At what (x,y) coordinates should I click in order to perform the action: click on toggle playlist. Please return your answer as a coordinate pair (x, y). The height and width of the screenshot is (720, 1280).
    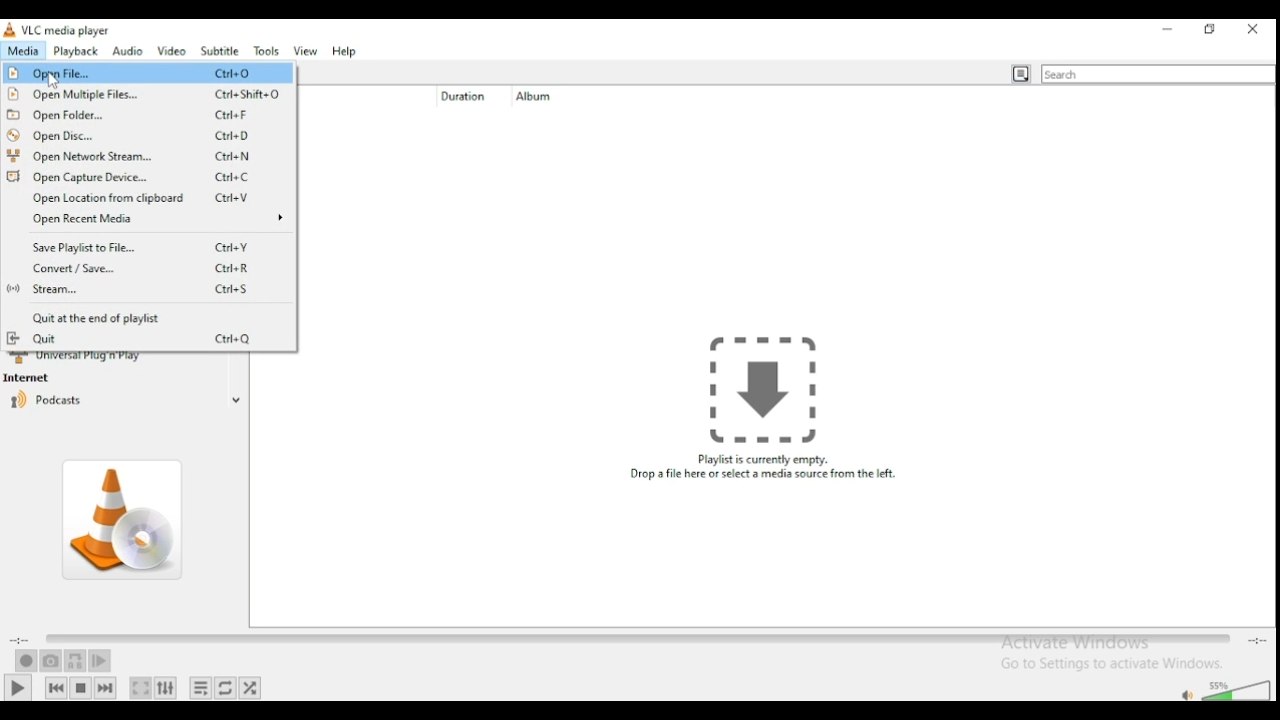
    Looking at the image, I should click on (201, 688).